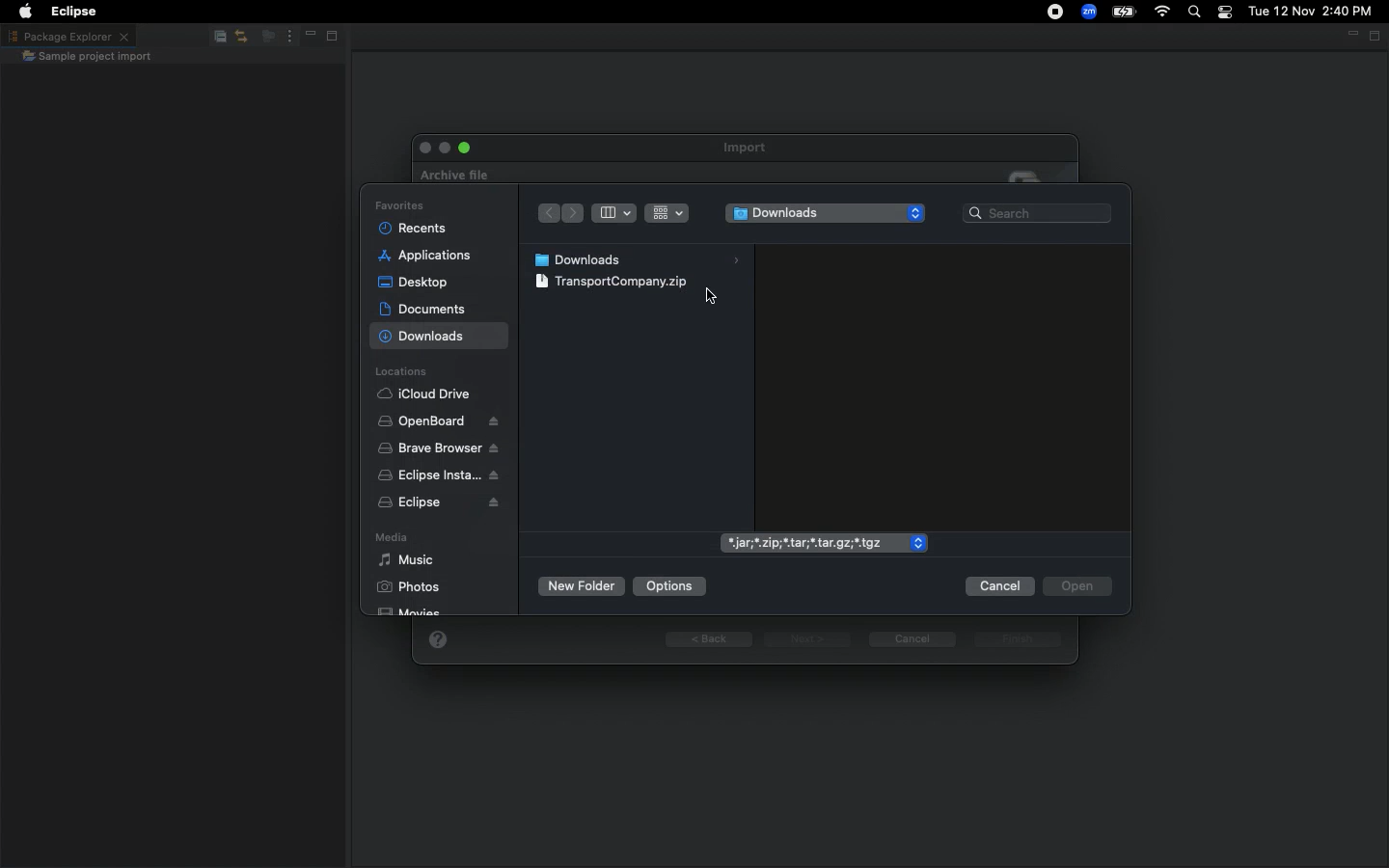 This screenshot has width=1389, height=868. I want to click on Music, so click(407, 561).